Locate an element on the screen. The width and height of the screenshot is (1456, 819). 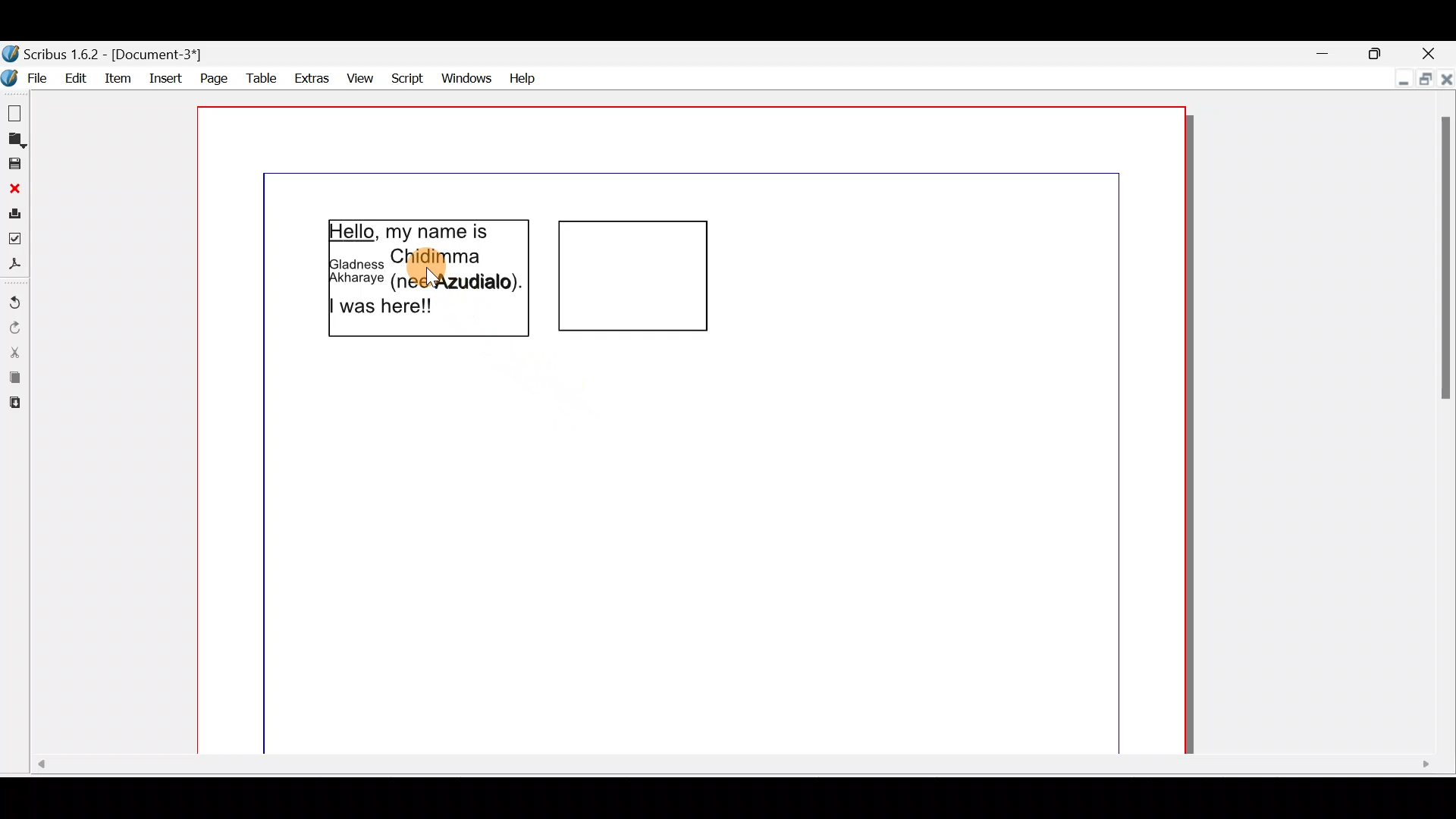
Save is located at coordinates (14, 163).